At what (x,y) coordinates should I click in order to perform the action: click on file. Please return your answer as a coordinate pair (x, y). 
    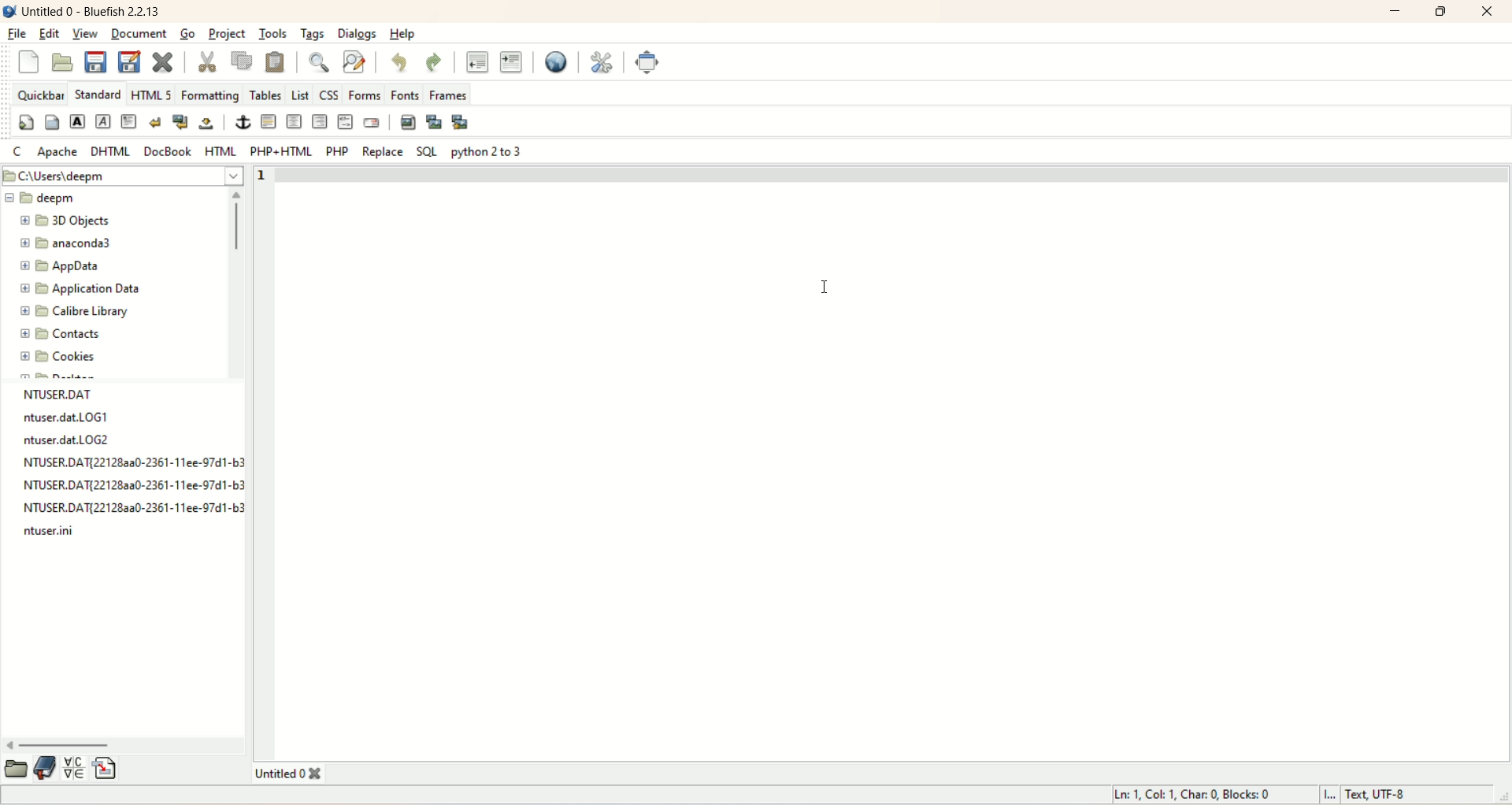
    Looking at the image, I should click on (72, 393).